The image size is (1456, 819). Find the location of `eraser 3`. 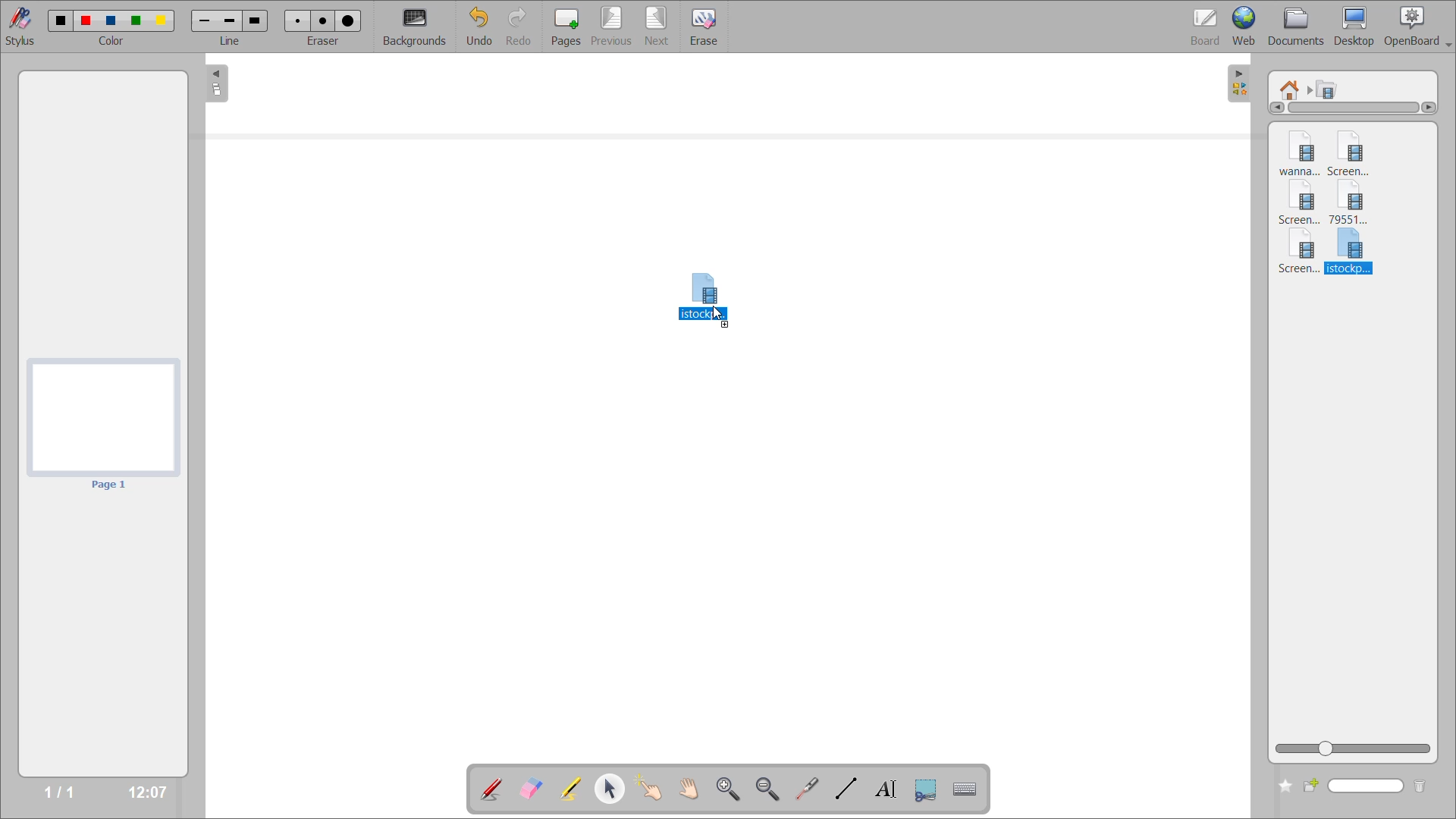

eraser 3 is located at coordinates (348, 20).